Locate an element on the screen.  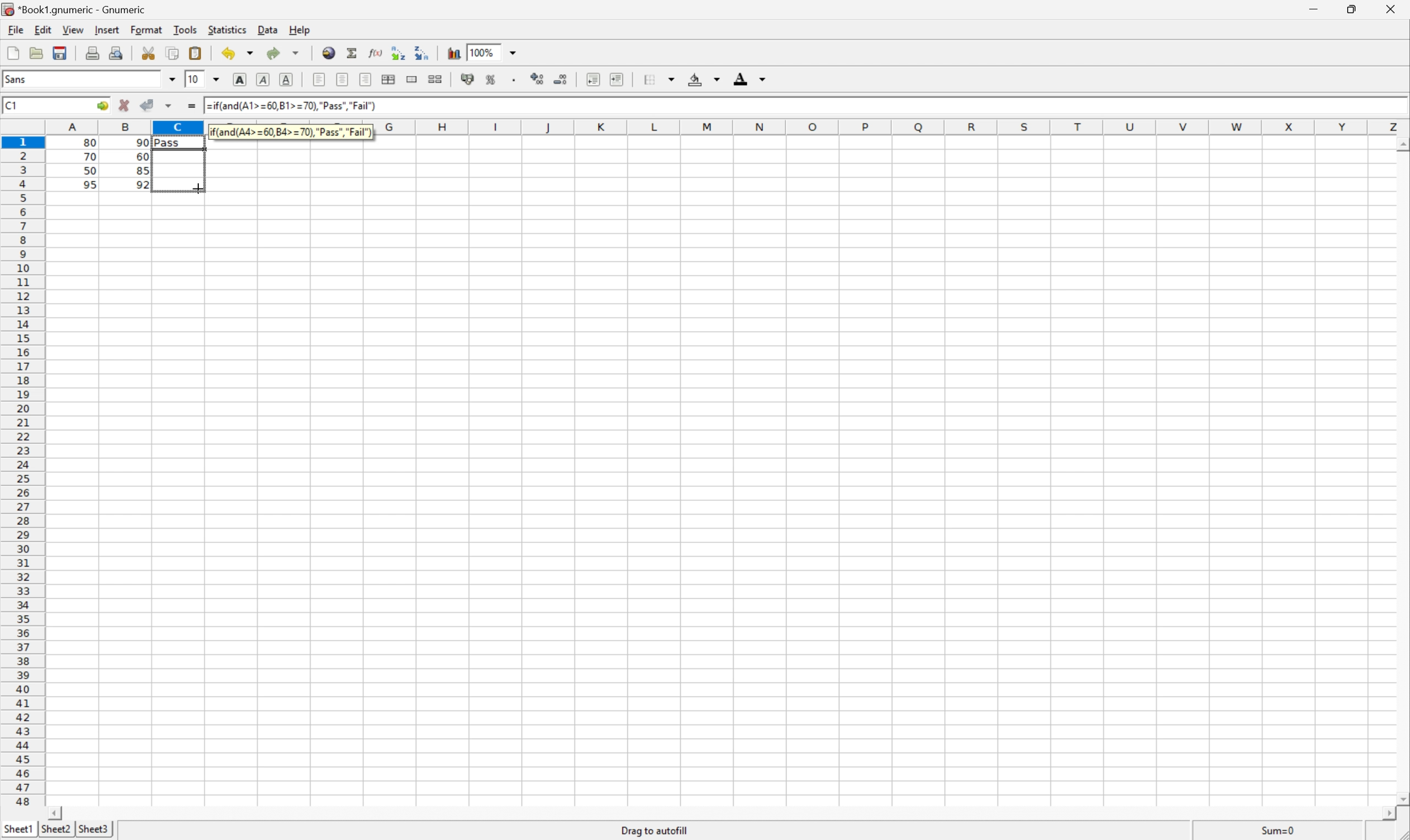
70 is located at coordinates (91, 158).